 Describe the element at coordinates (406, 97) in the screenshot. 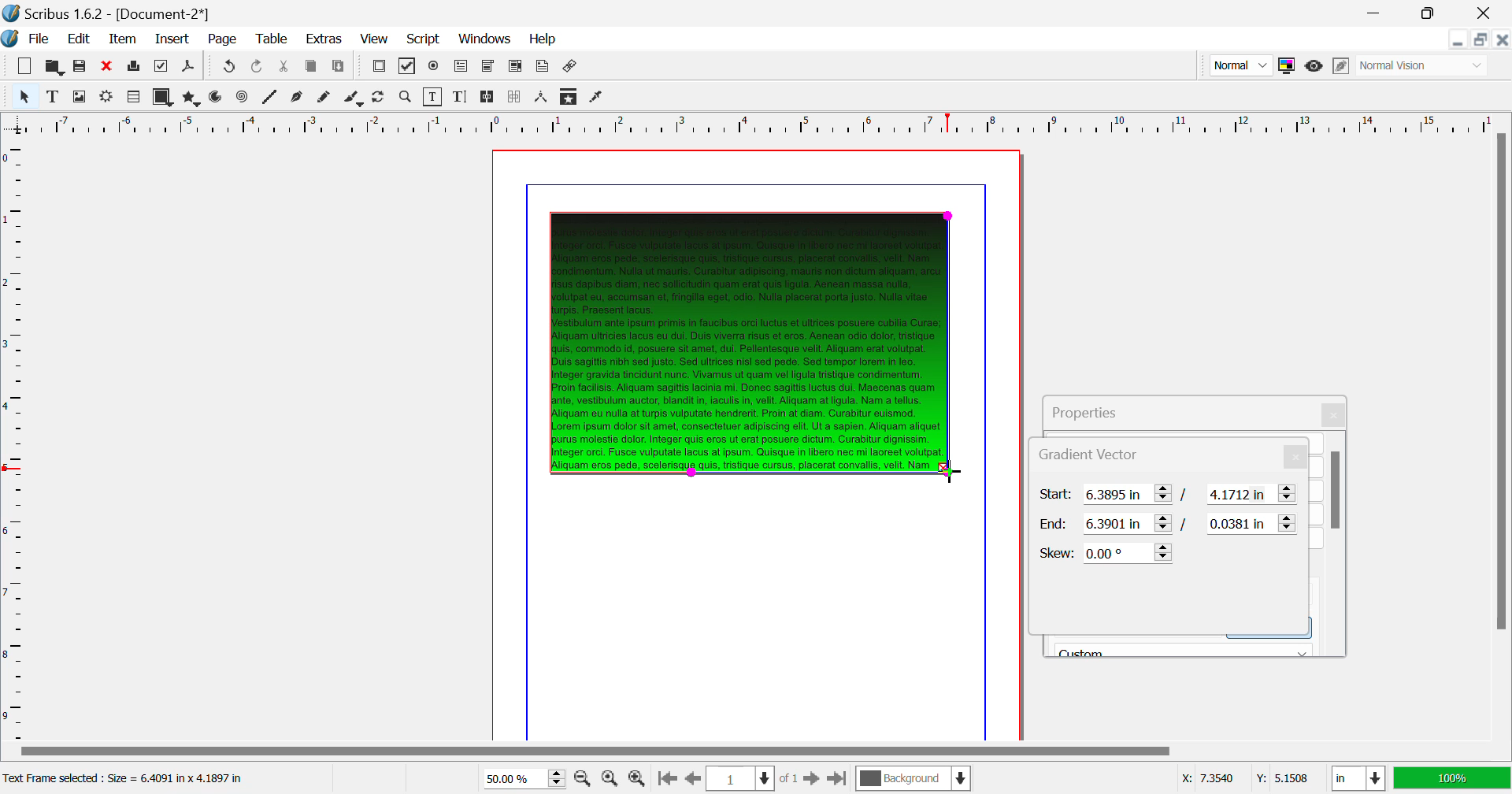

I see `Zoom` at that location.